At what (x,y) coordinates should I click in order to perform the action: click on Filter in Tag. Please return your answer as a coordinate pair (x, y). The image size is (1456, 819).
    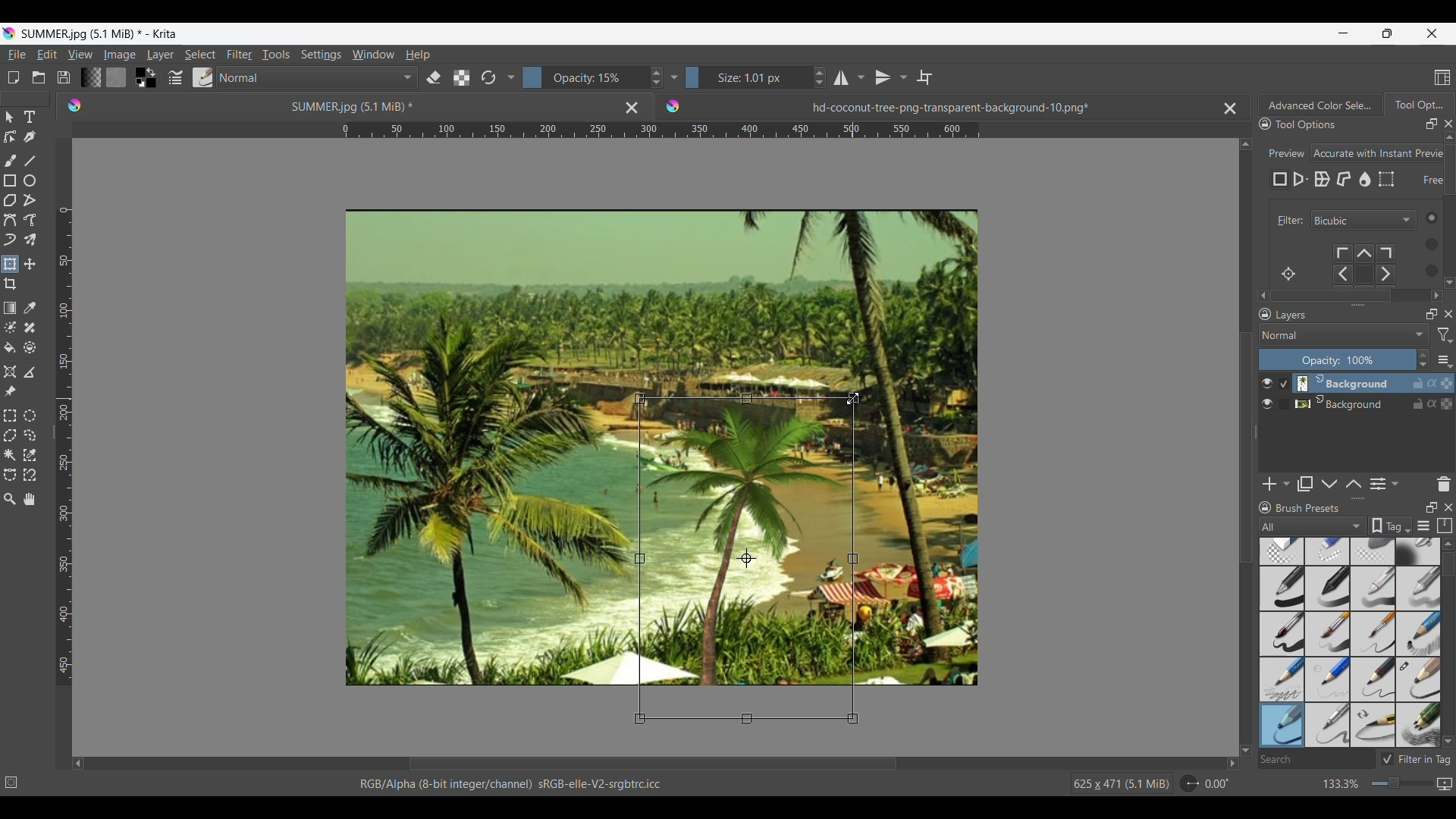
    Looking at the image, I should click on (1418, 759).